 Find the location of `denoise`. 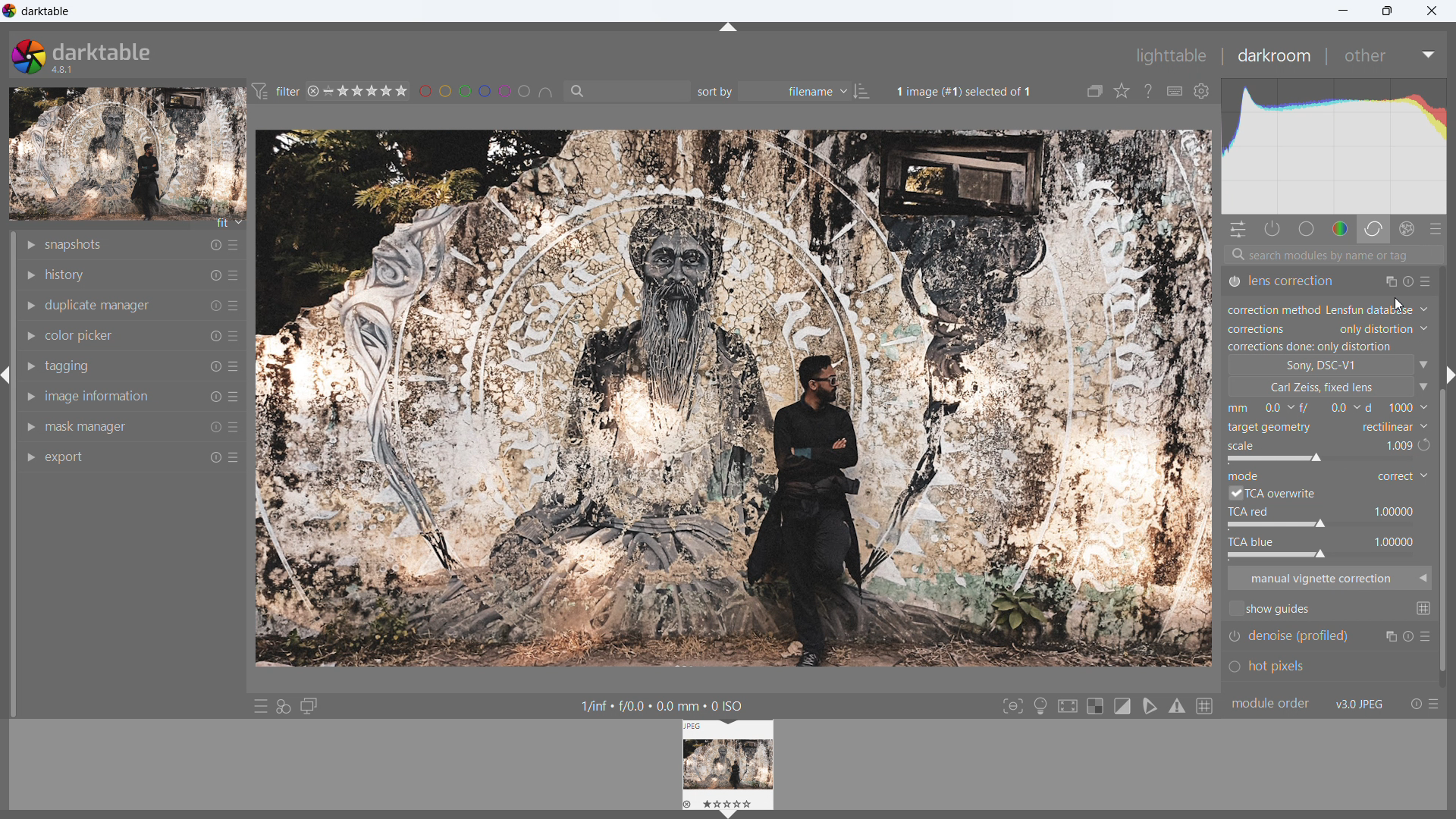

denoise is located at coordinates (1329, 638).